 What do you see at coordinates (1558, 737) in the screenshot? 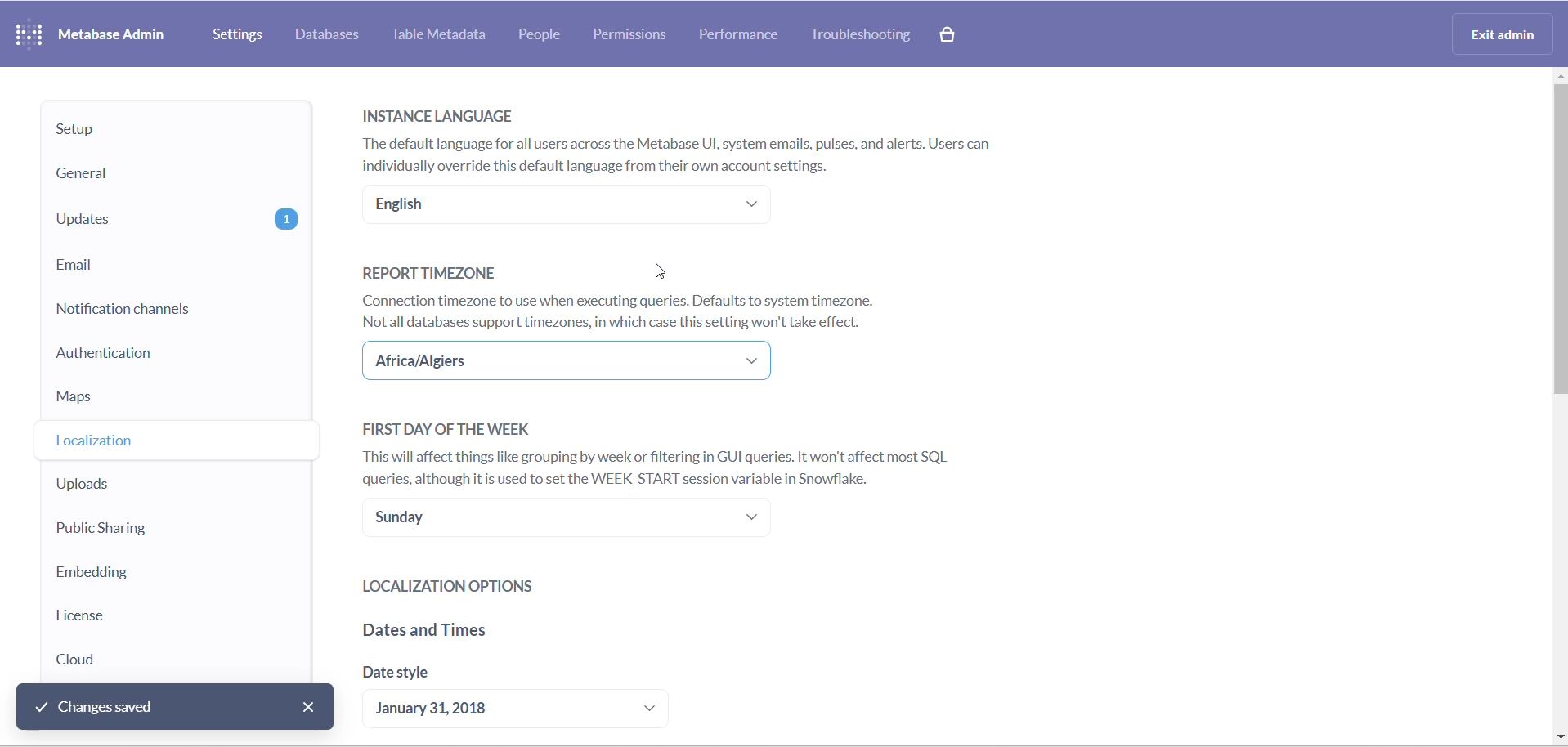
I see `move down` at bounding box center [1558, 737].